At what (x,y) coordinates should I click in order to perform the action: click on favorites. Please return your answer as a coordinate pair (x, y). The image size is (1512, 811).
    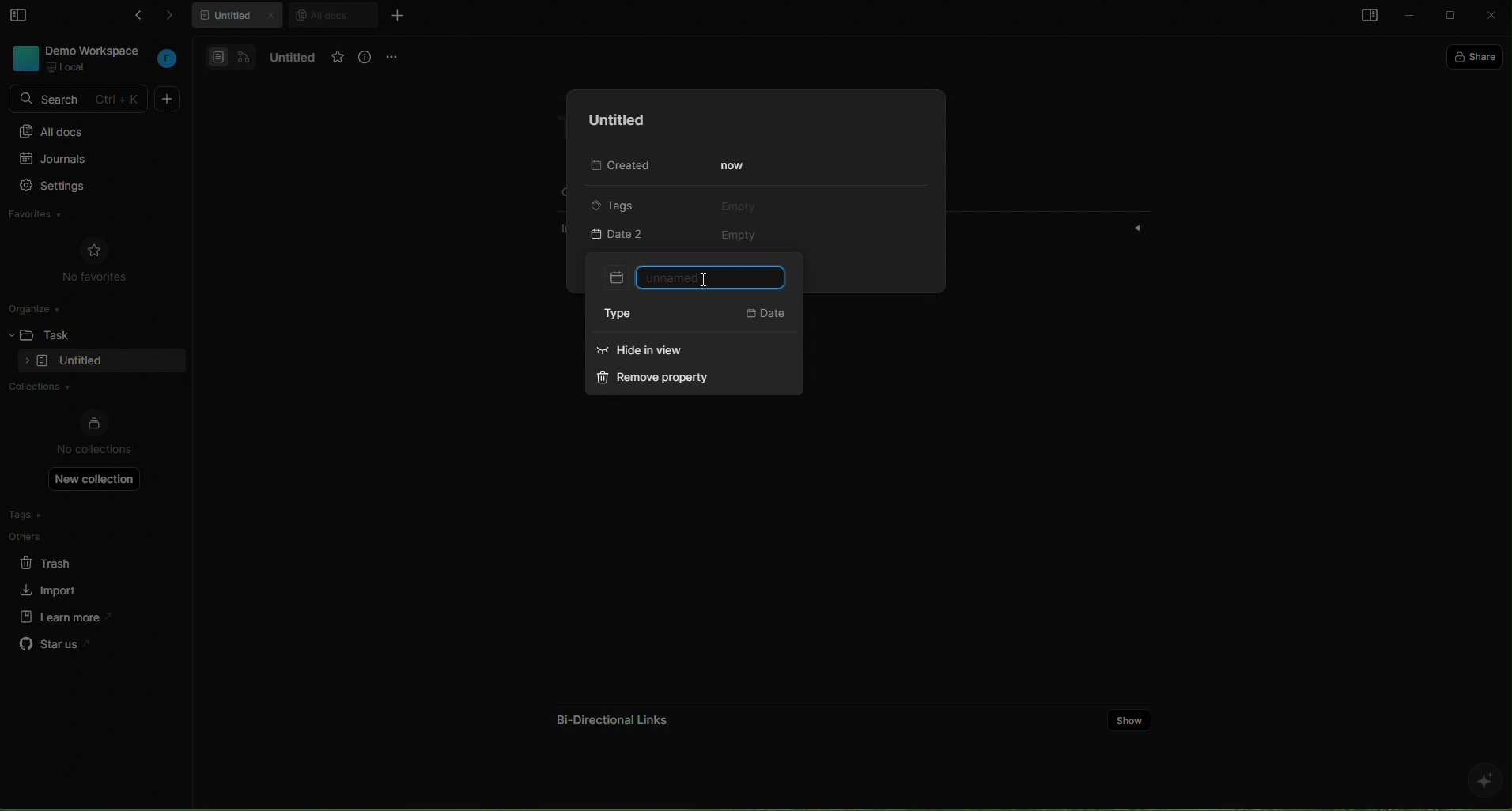
    Looking at the image, I should click on (338, 58).